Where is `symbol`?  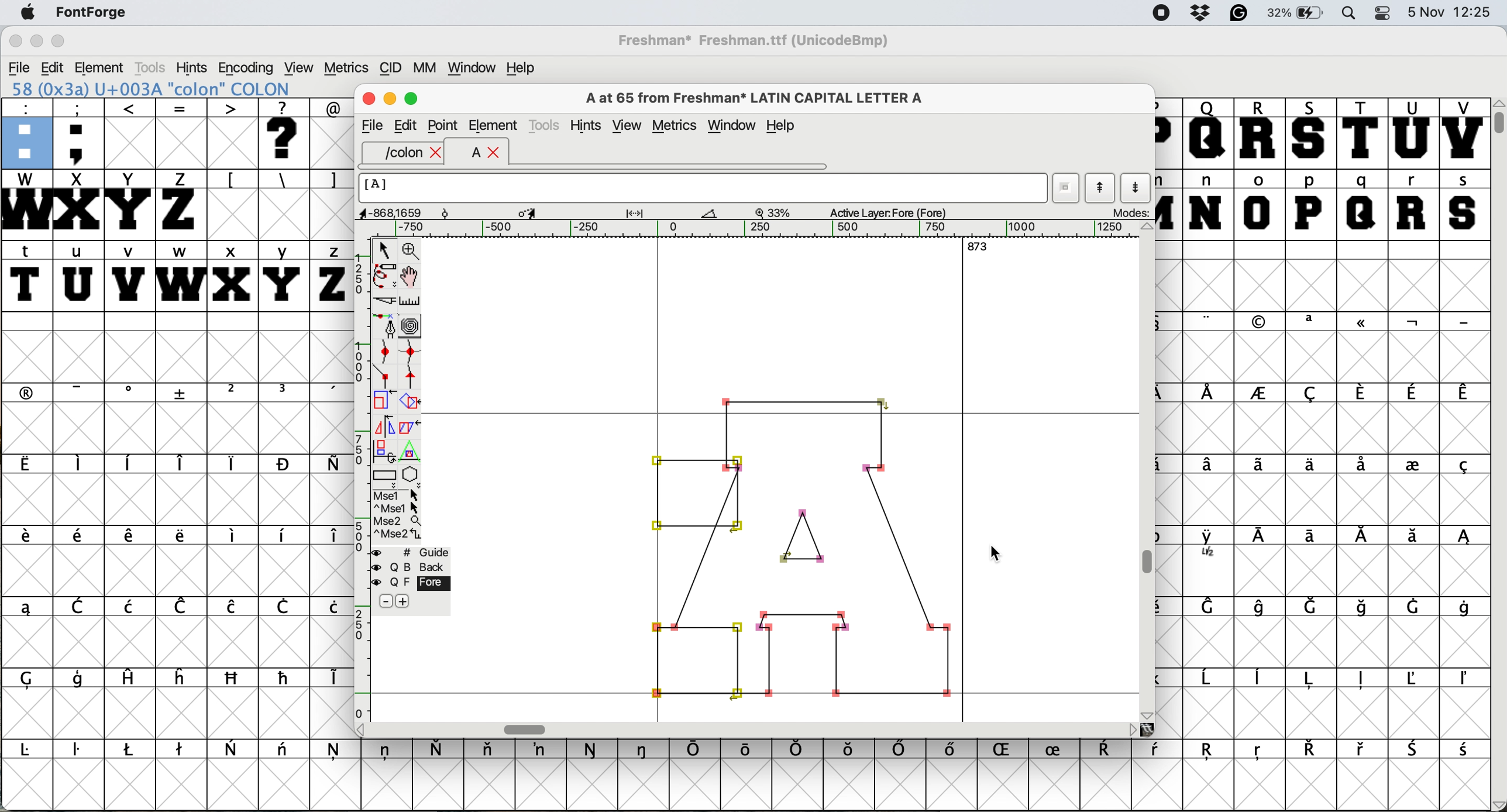 symbol is located at coordinates (81, 538).